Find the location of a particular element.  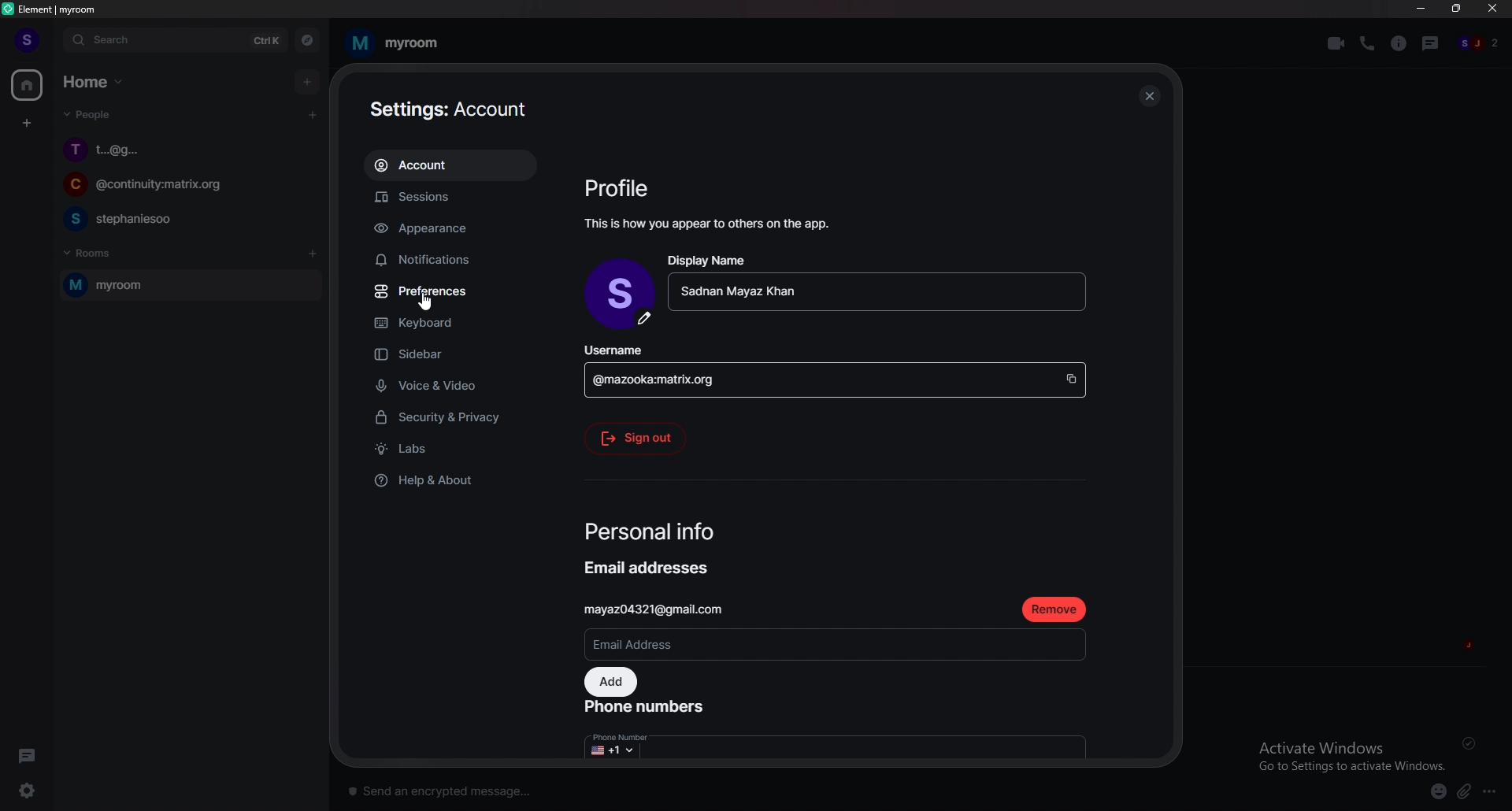

appearance is located at coordinates (450, 229).